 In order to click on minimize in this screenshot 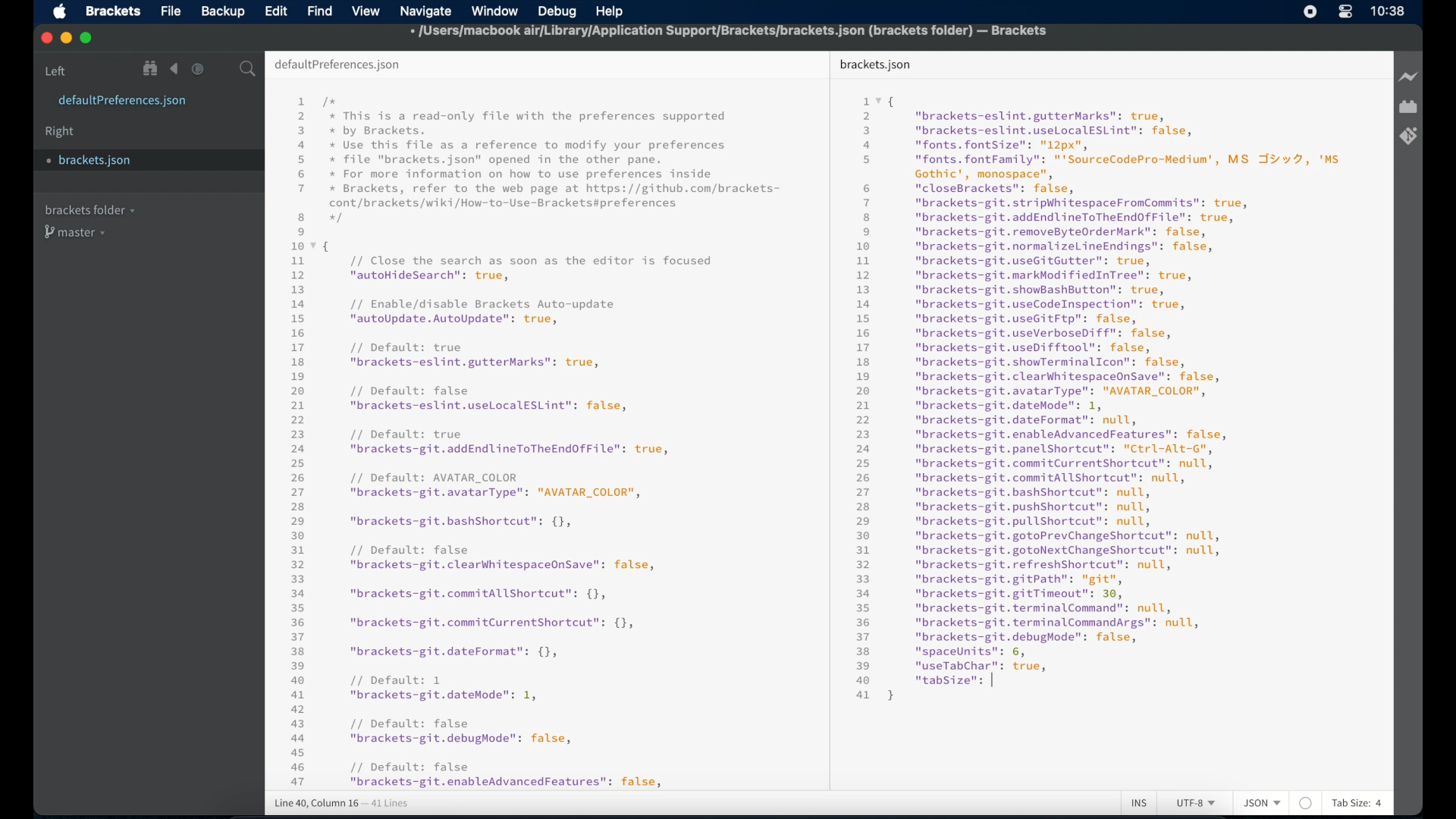, I will do `click(67, 39)`.